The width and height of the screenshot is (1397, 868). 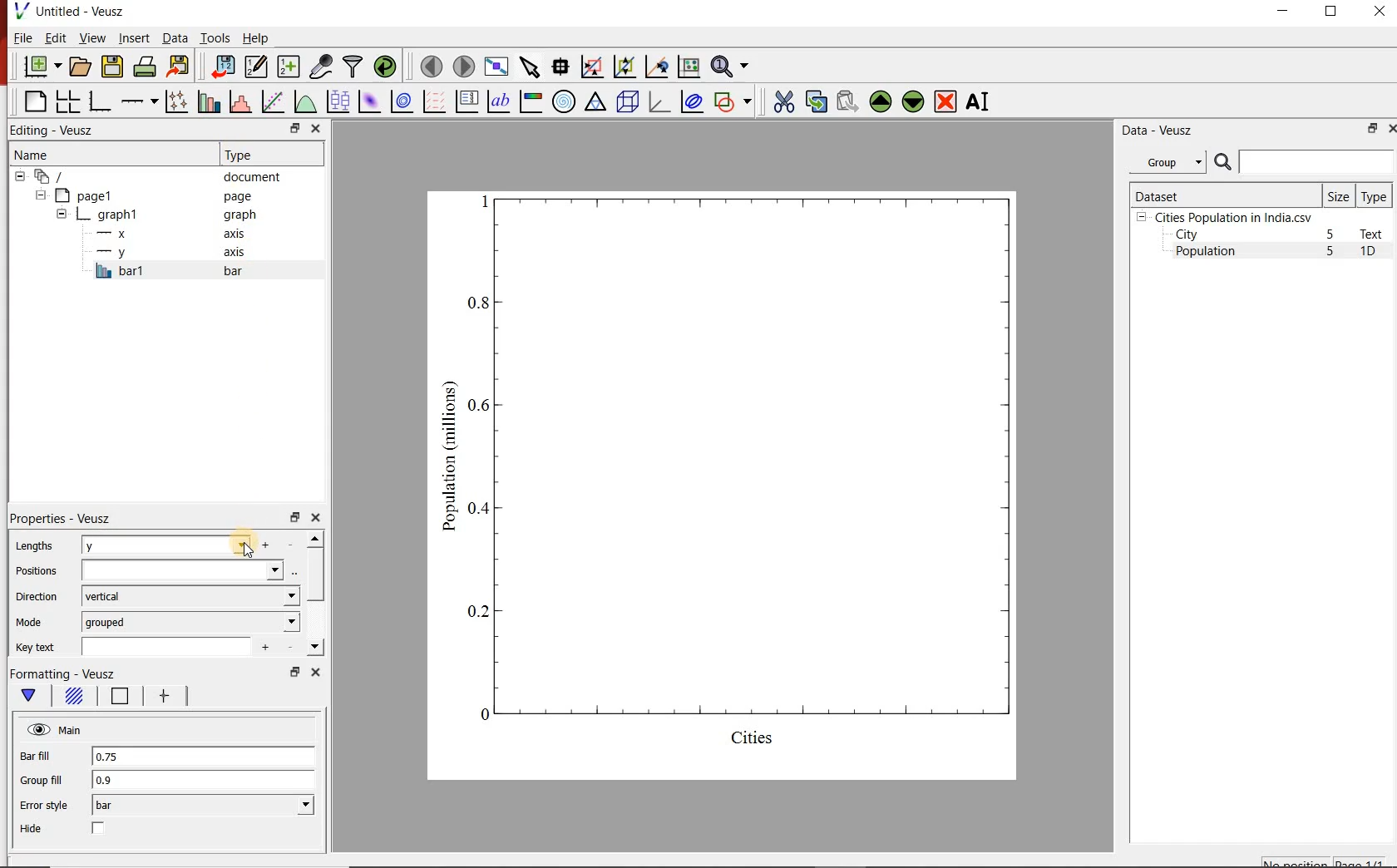 I want to click on y, so click(x=189, y=545).